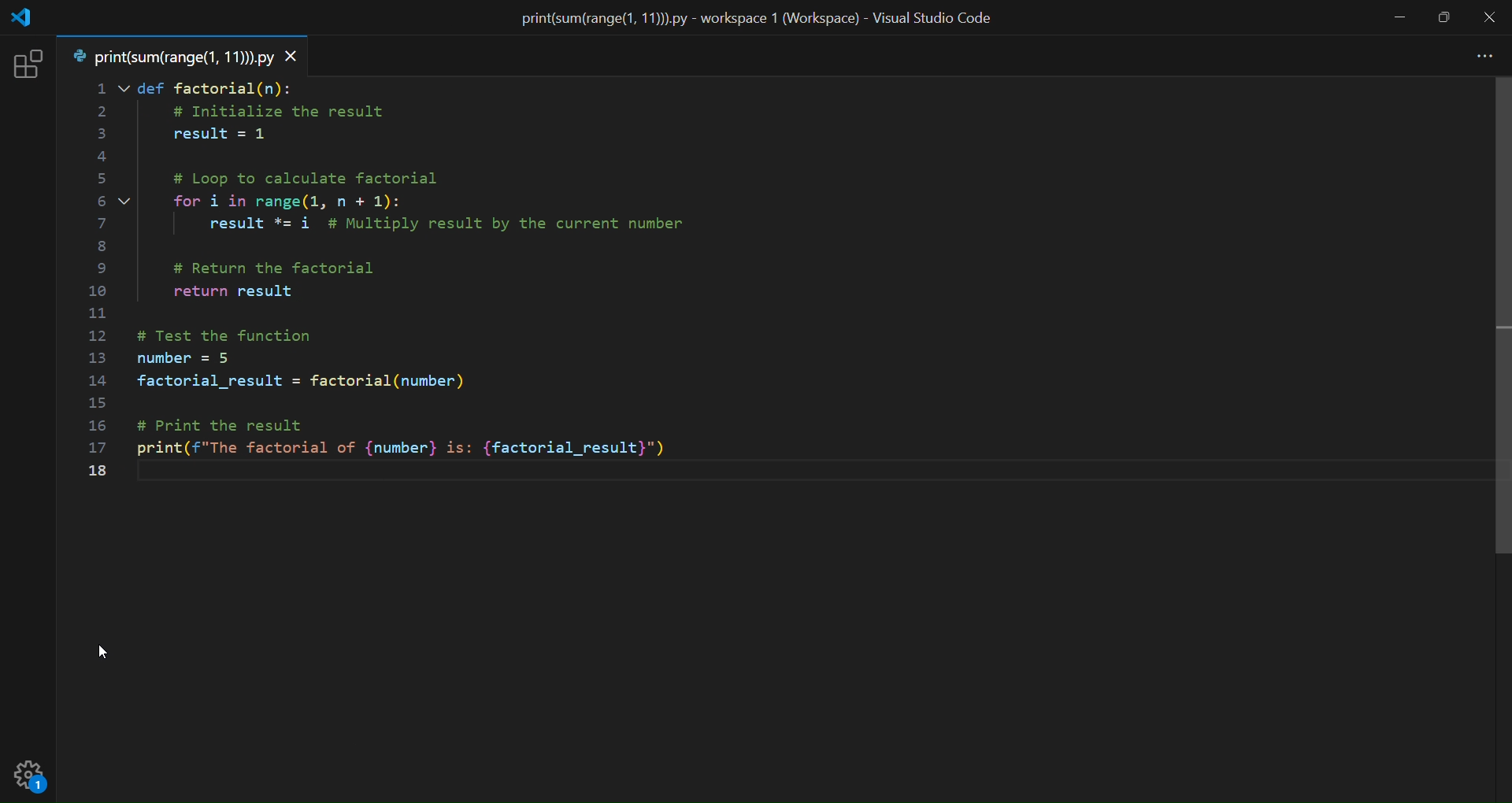  Describe the element at coordinates (172, 58) in the screenshot. I see `tab name` at that location.